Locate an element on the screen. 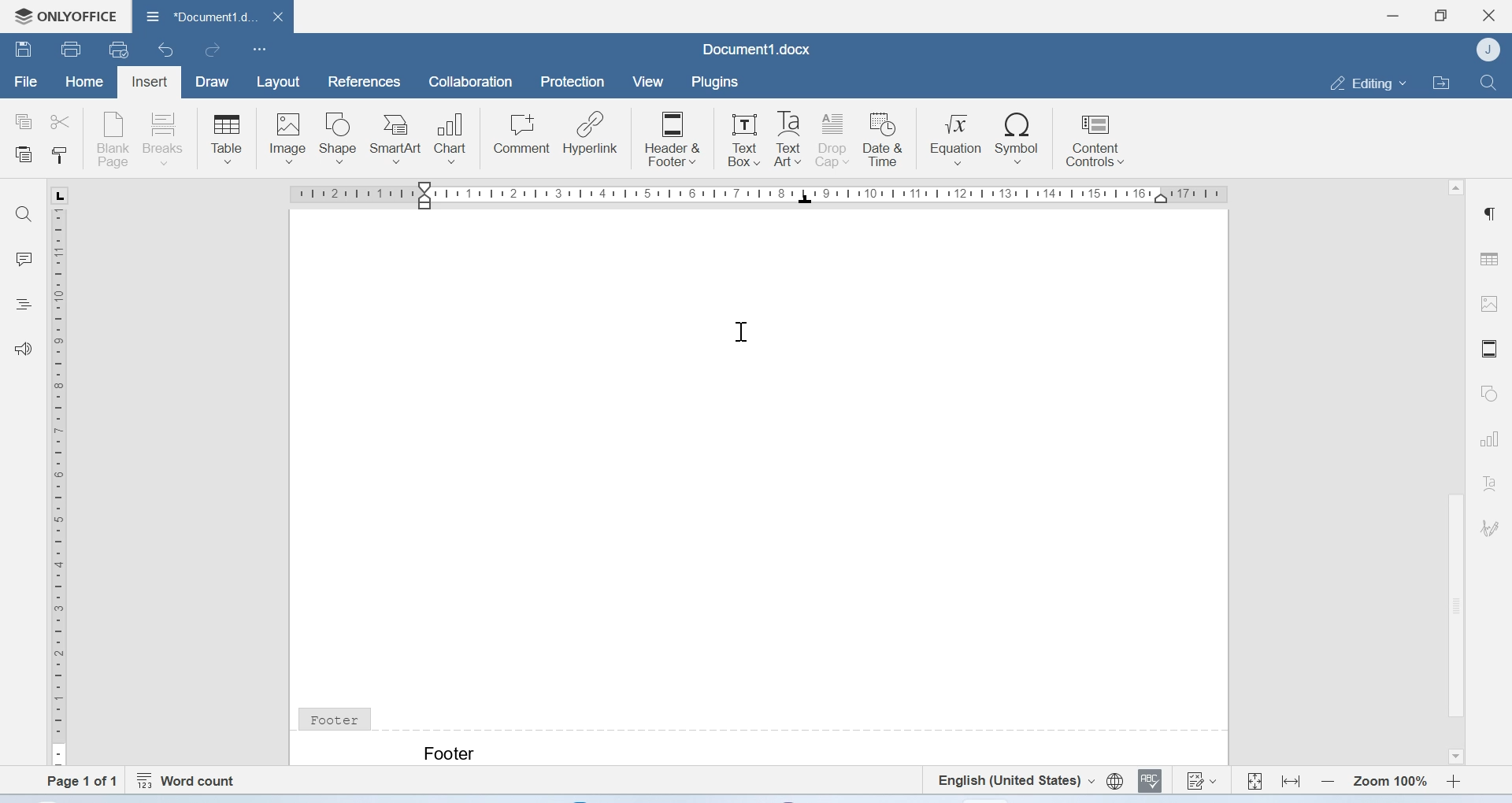 Image resolution: width=1512 pixels, height=803 pixels. Footer is located at coordinates (334, 717).